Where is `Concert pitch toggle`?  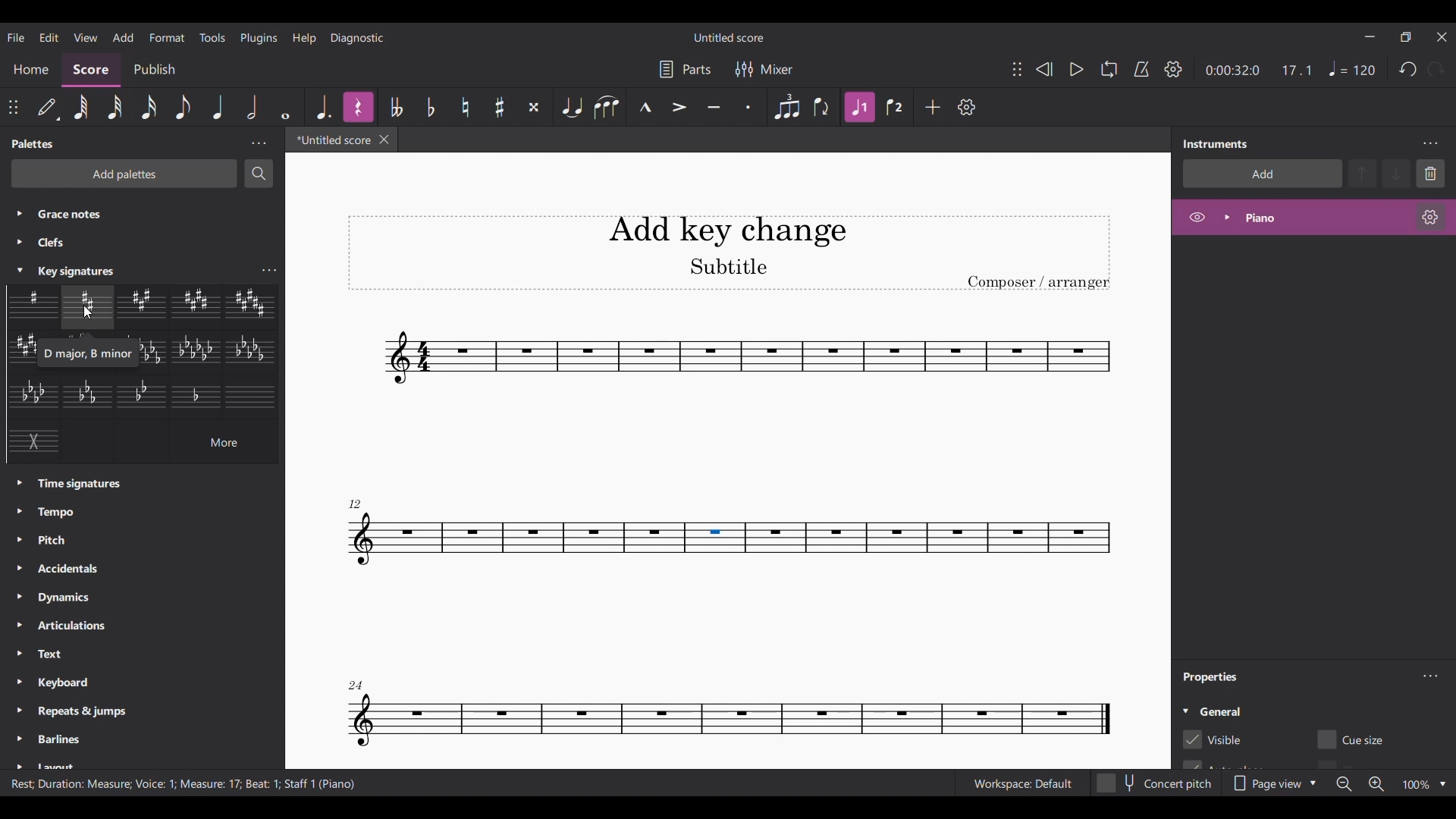
Concert pitch toggle is located at coordinates (1155, 784).